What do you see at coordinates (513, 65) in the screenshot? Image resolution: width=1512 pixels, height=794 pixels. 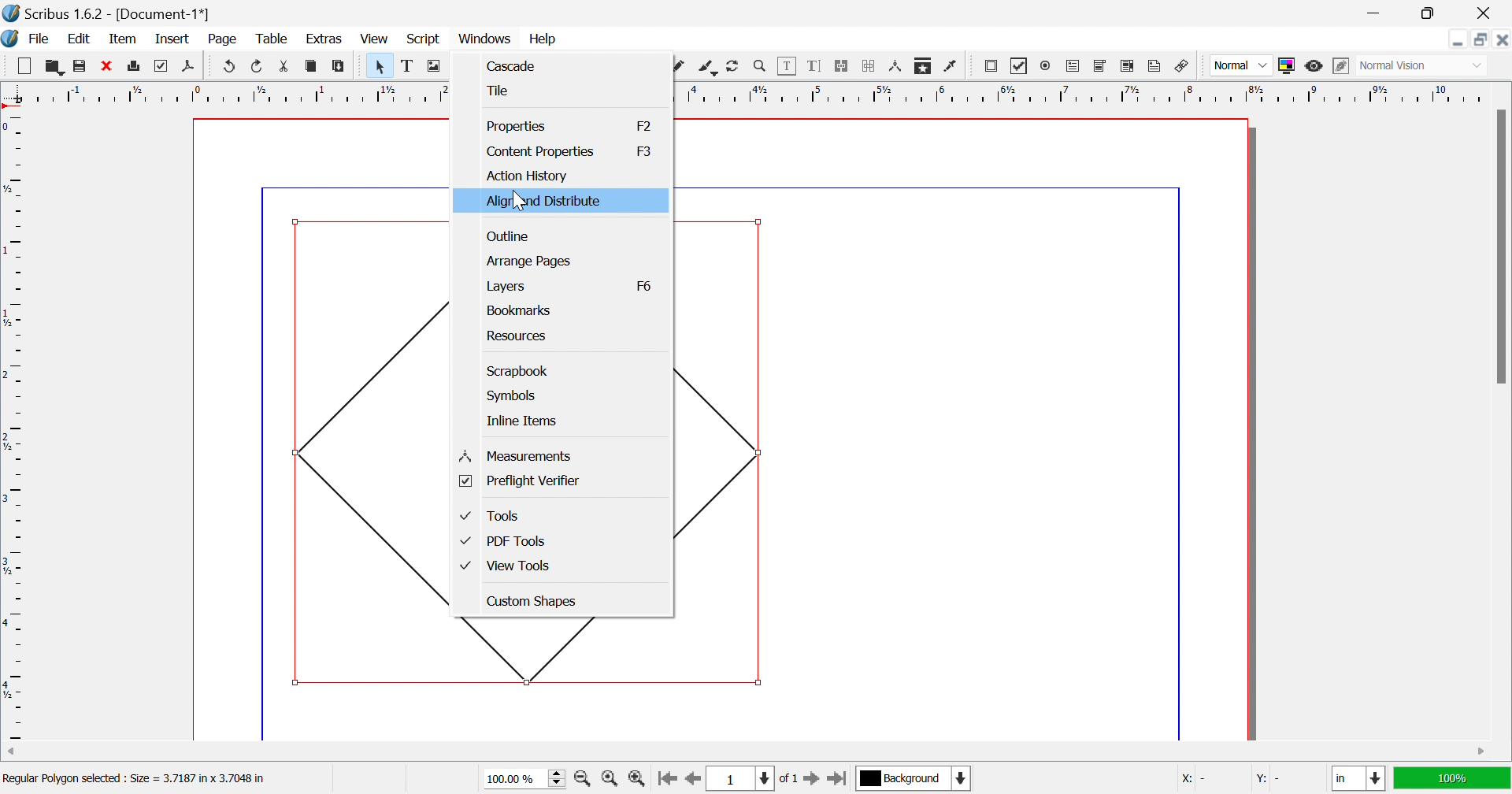 I see `Cascade` at bounding box center [513, 65].